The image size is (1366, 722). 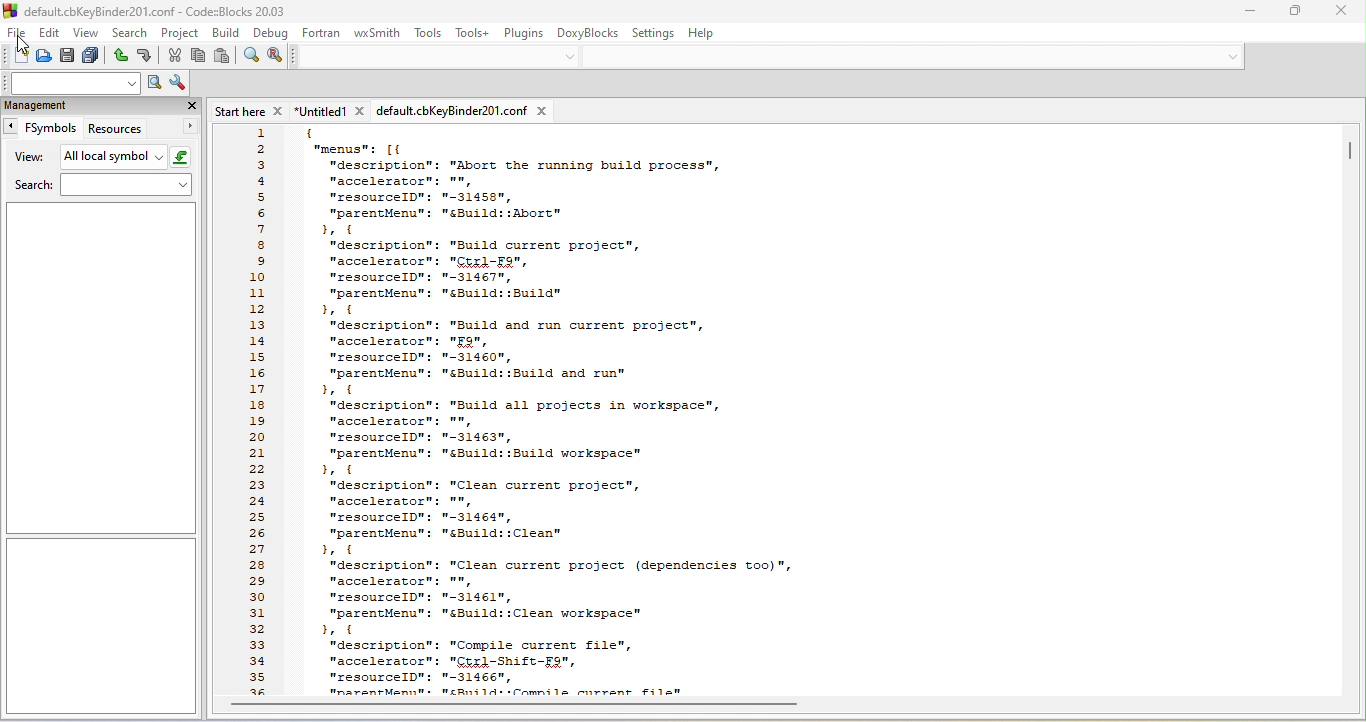 What do you see at coordinates (146, 56) in the screenshot?
I see `redo` at bounding box center [146, 56].